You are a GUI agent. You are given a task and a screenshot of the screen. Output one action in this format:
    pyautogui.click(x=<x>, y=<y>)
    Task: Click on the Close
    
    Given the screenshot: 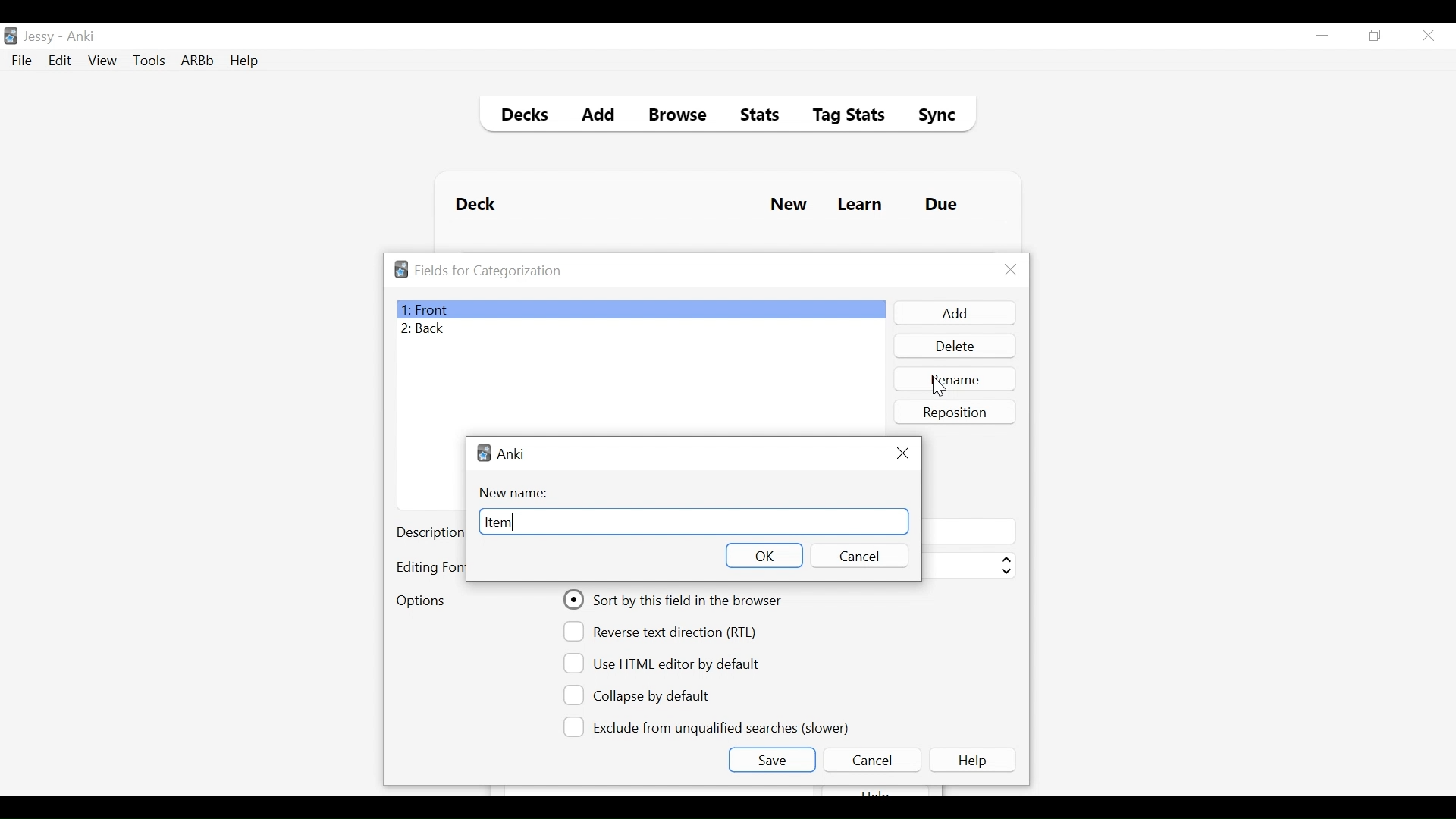 What is the action you would take?
    pyautogui.click(x=1428, y=36)
    